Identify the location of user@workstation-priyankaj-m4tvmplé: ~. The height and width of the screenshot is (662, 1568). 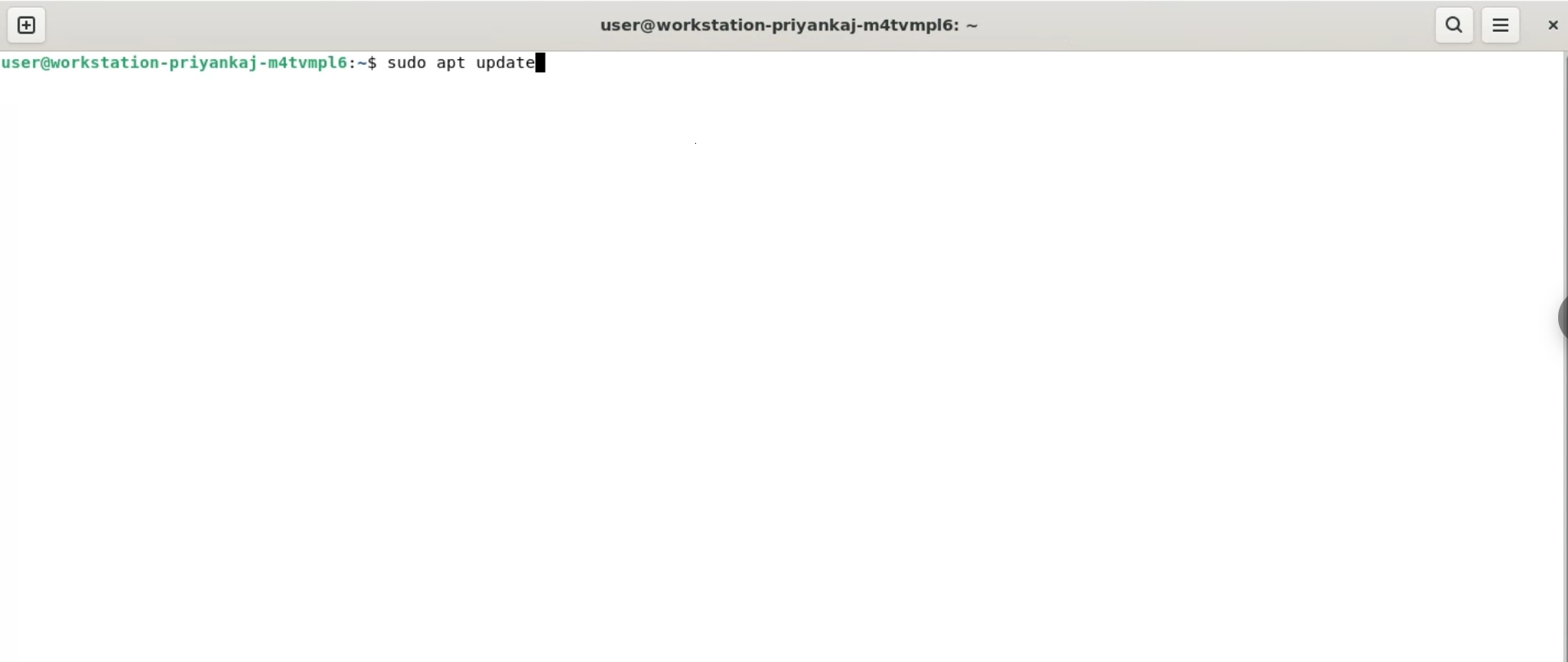
(796, 26).